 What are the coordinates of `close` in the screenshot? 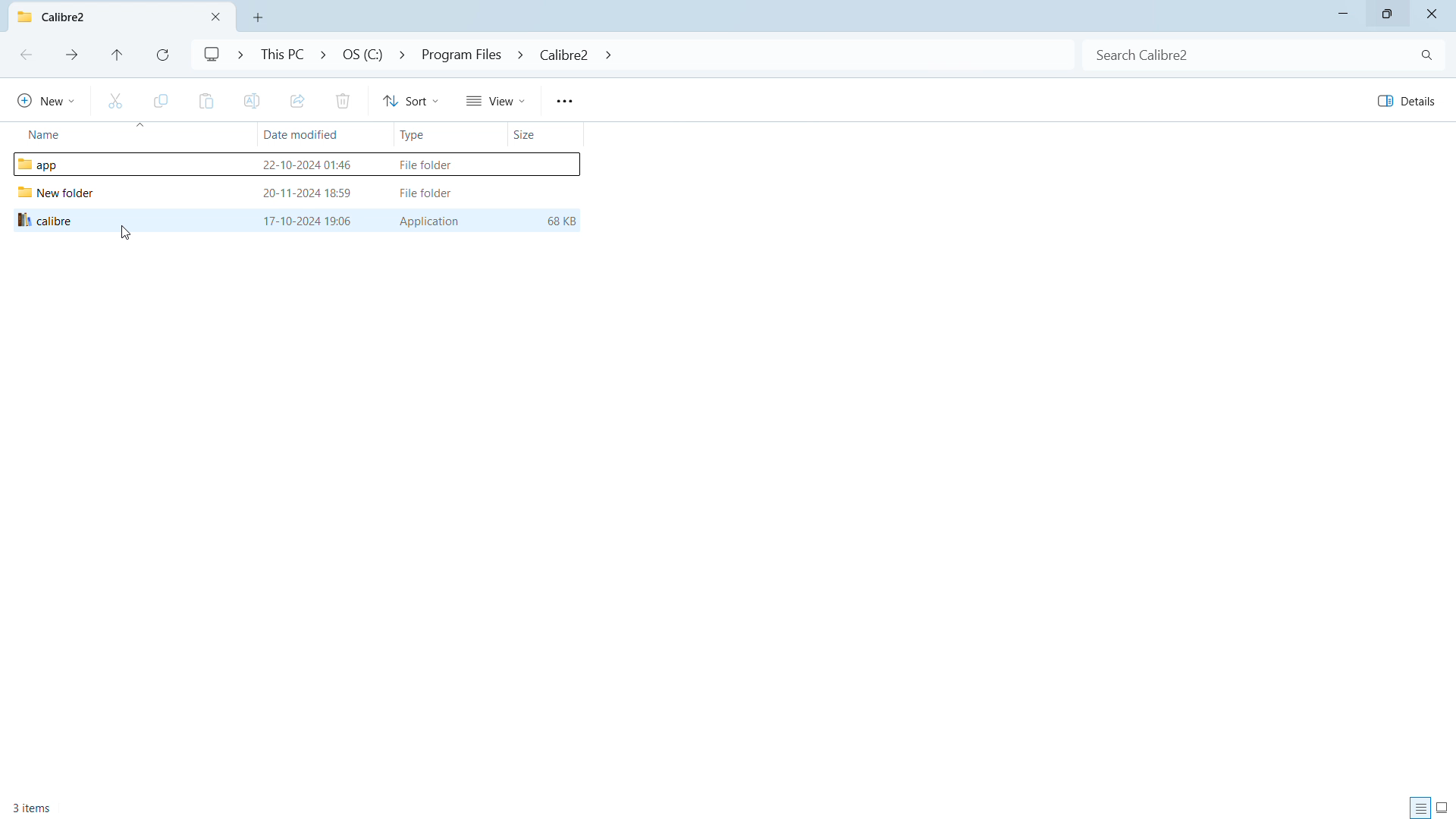 It's located at (1432, 11).